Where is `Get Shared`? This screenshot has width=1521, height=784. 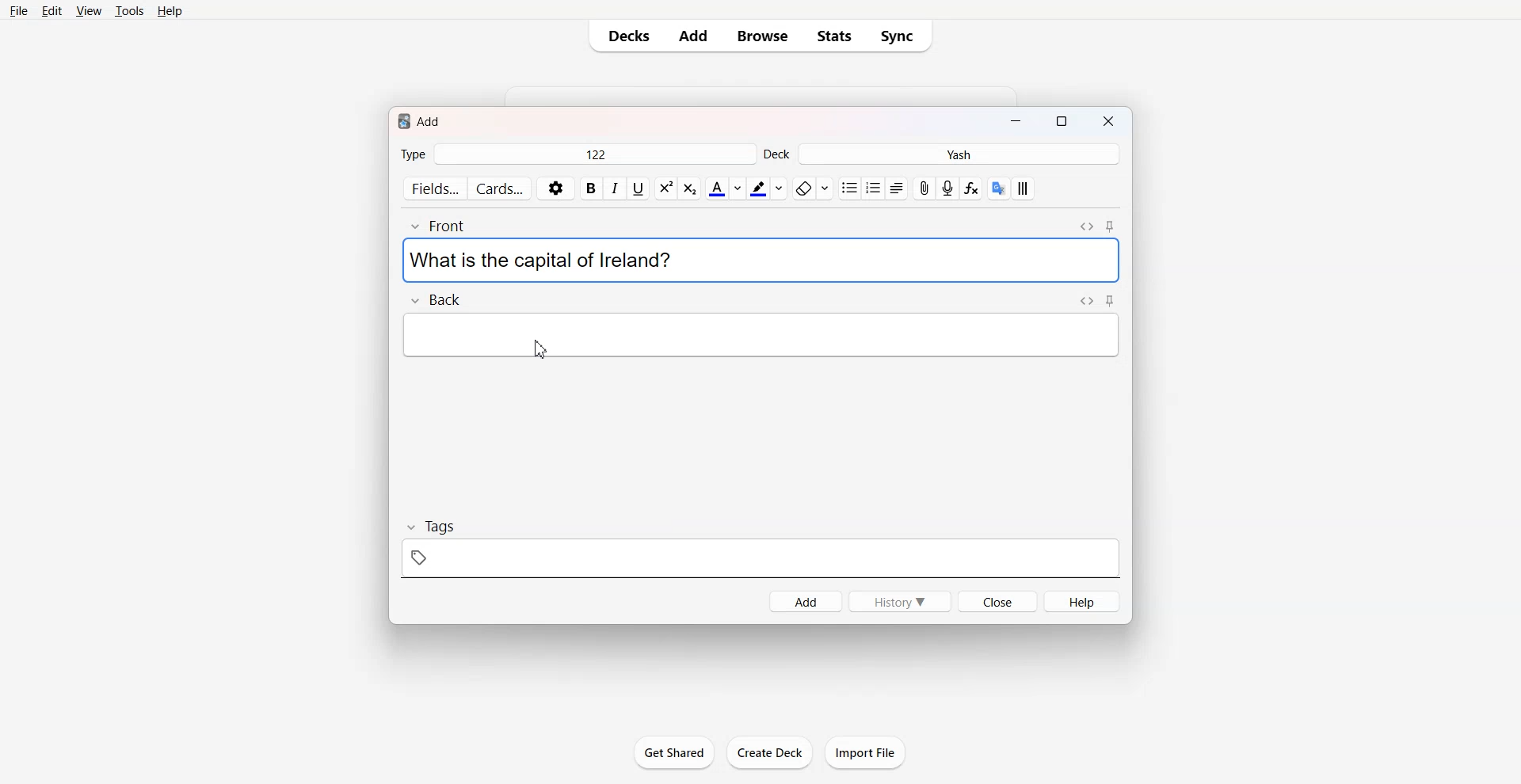 Get Shared is located at coordinates (673, 752).